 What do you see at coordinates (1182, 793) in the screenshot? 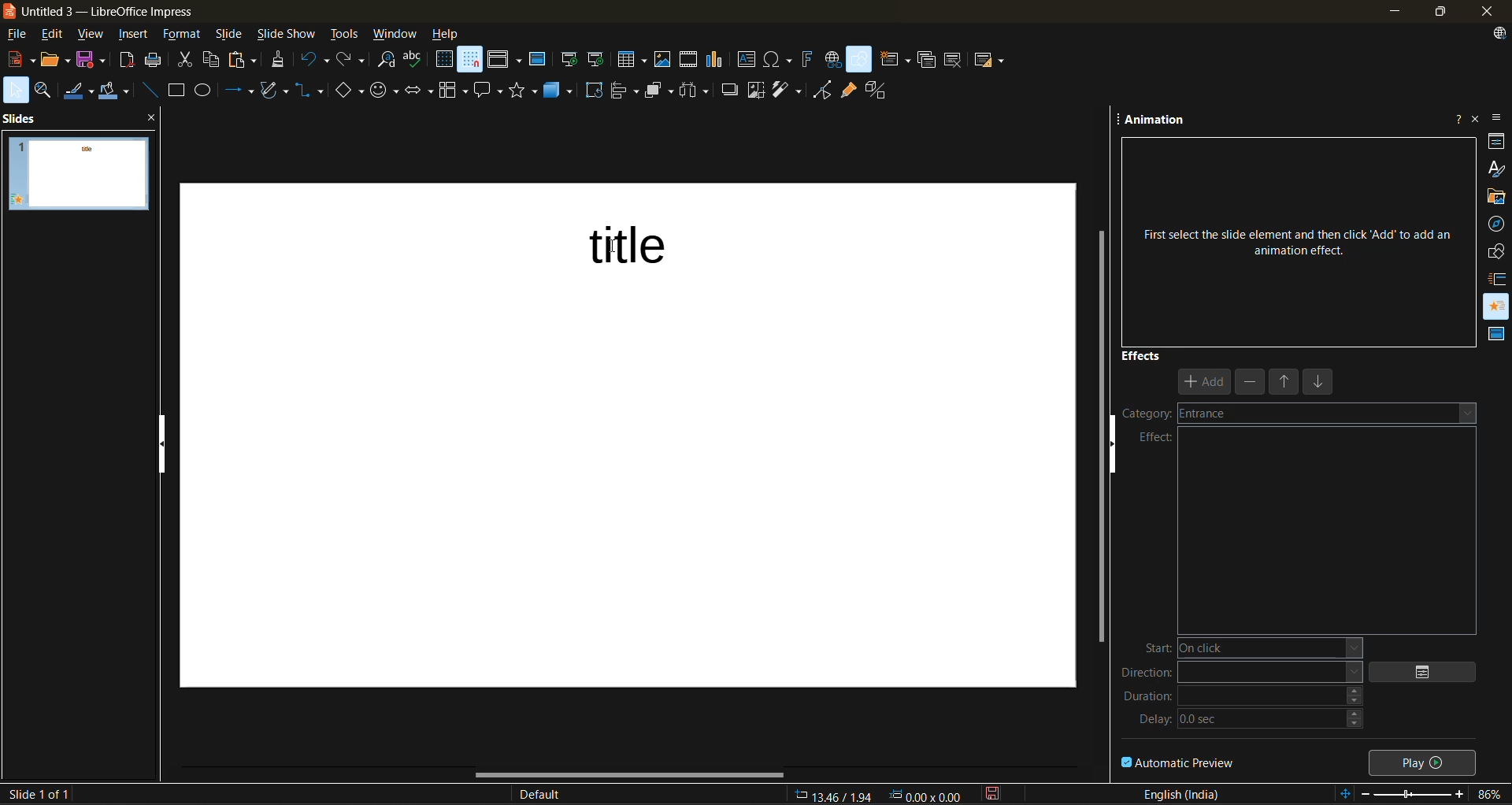
I see `text language` at bounding box center [1182, 793].